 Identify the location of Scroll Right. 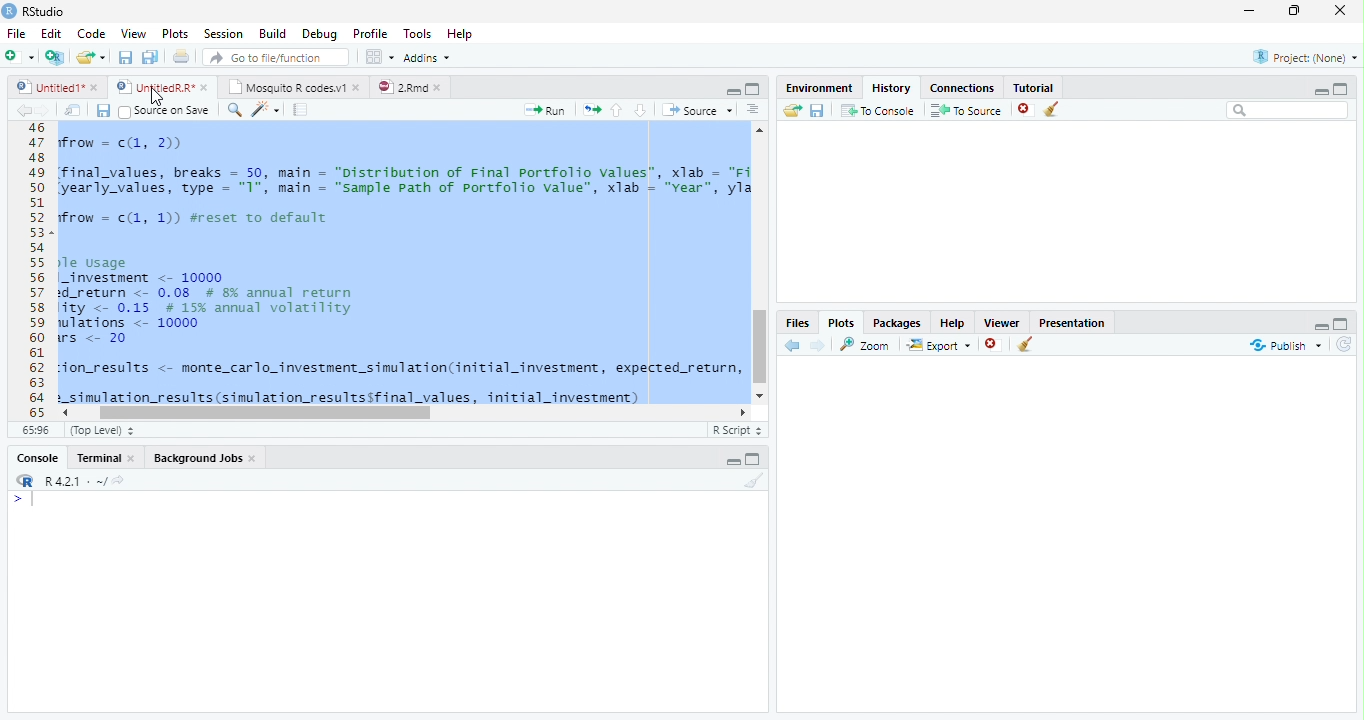
(743, 411).